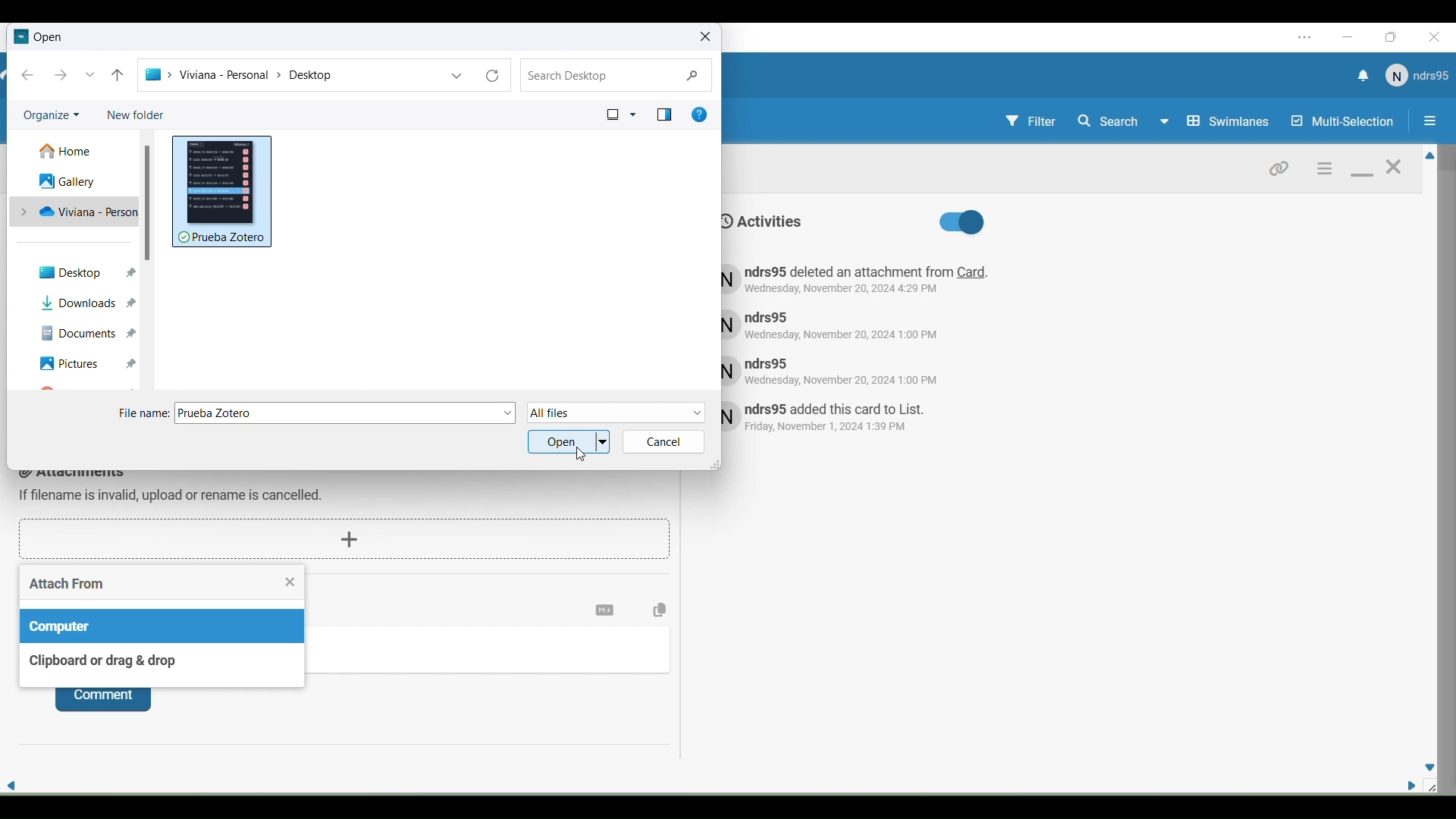 Image resolution: width=1456 pixels, height=819 pixels. I want to click on Add attachments button, so click(344, 540).